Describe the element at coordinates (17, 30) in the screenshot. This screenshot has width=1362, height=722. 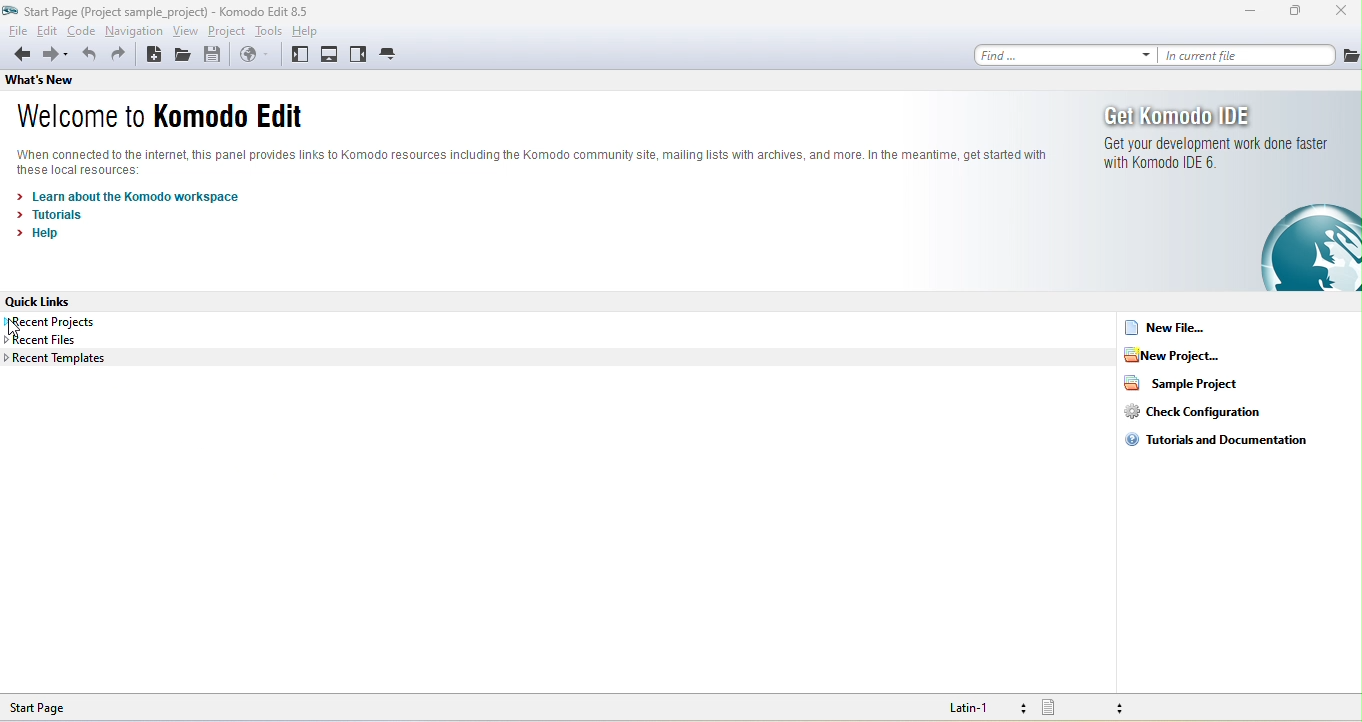
I see `file` at that location.